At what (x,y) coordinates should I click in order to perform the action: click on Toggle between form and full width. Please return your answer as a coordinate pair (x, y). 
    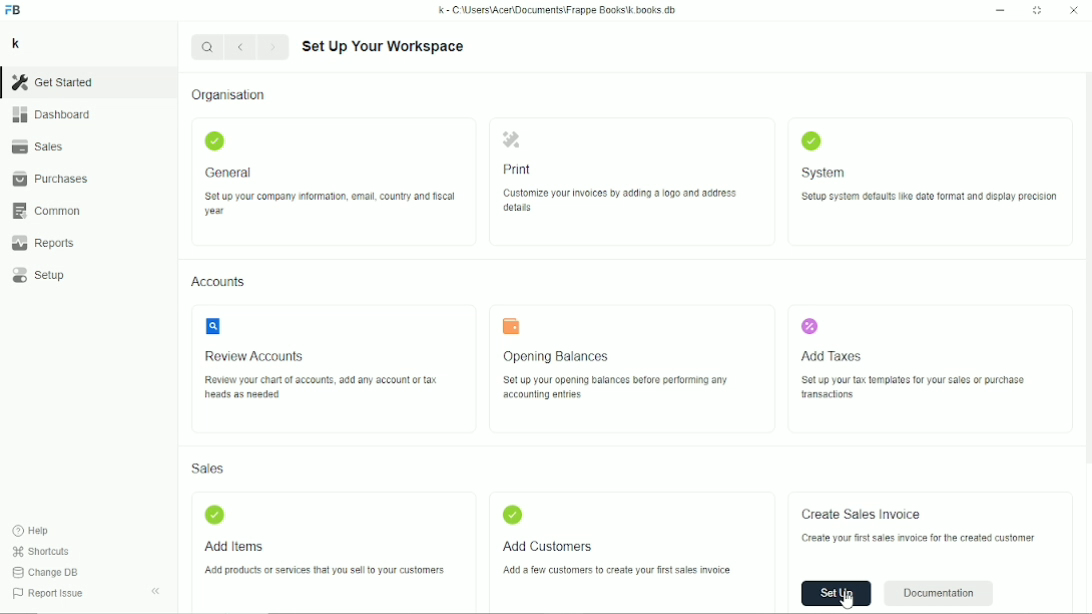
    Looking at the image, I should click on (1038, 11).